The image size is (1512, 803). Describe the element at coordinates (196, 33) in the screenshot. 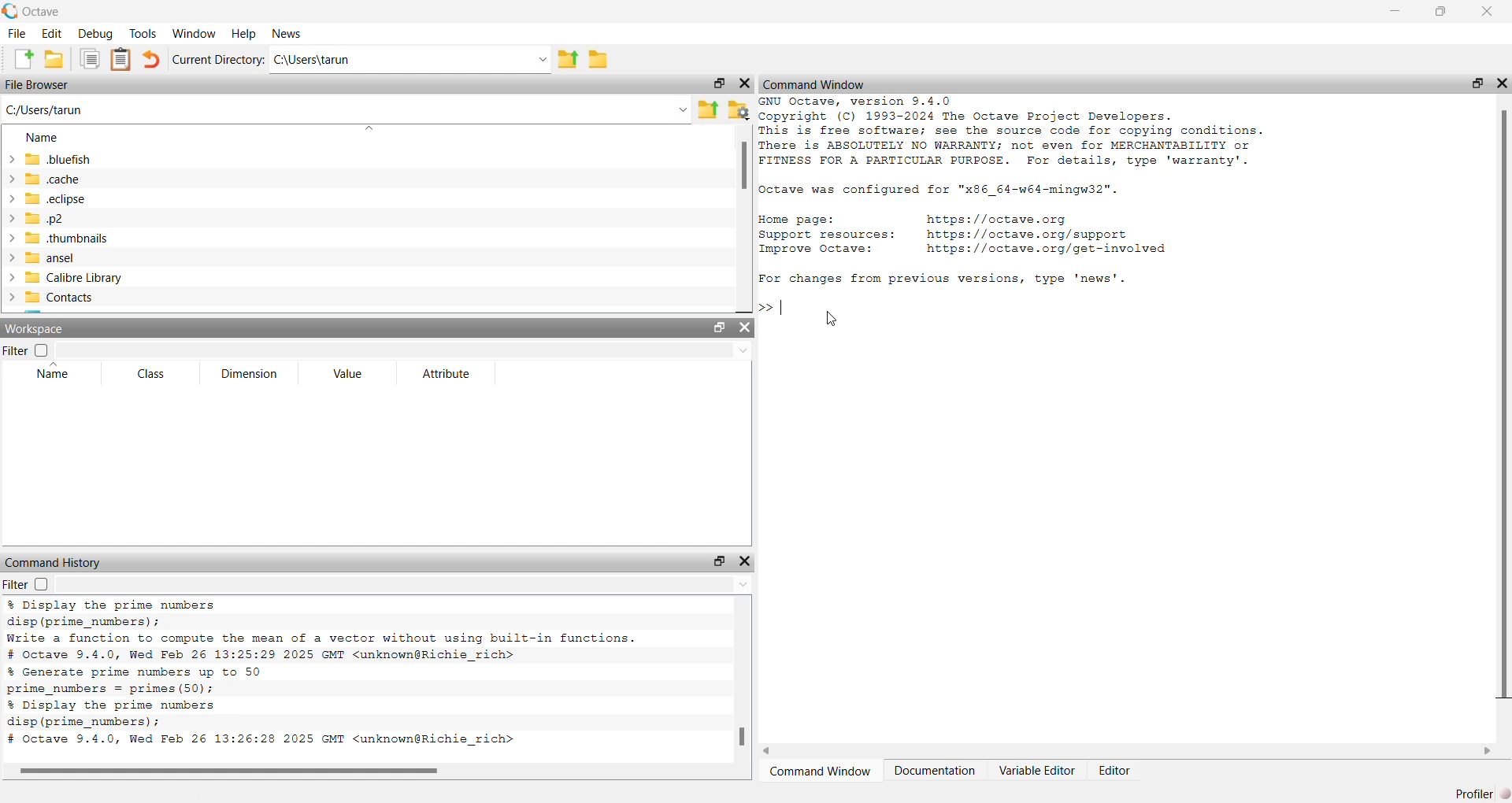

I see `Window` at that location.